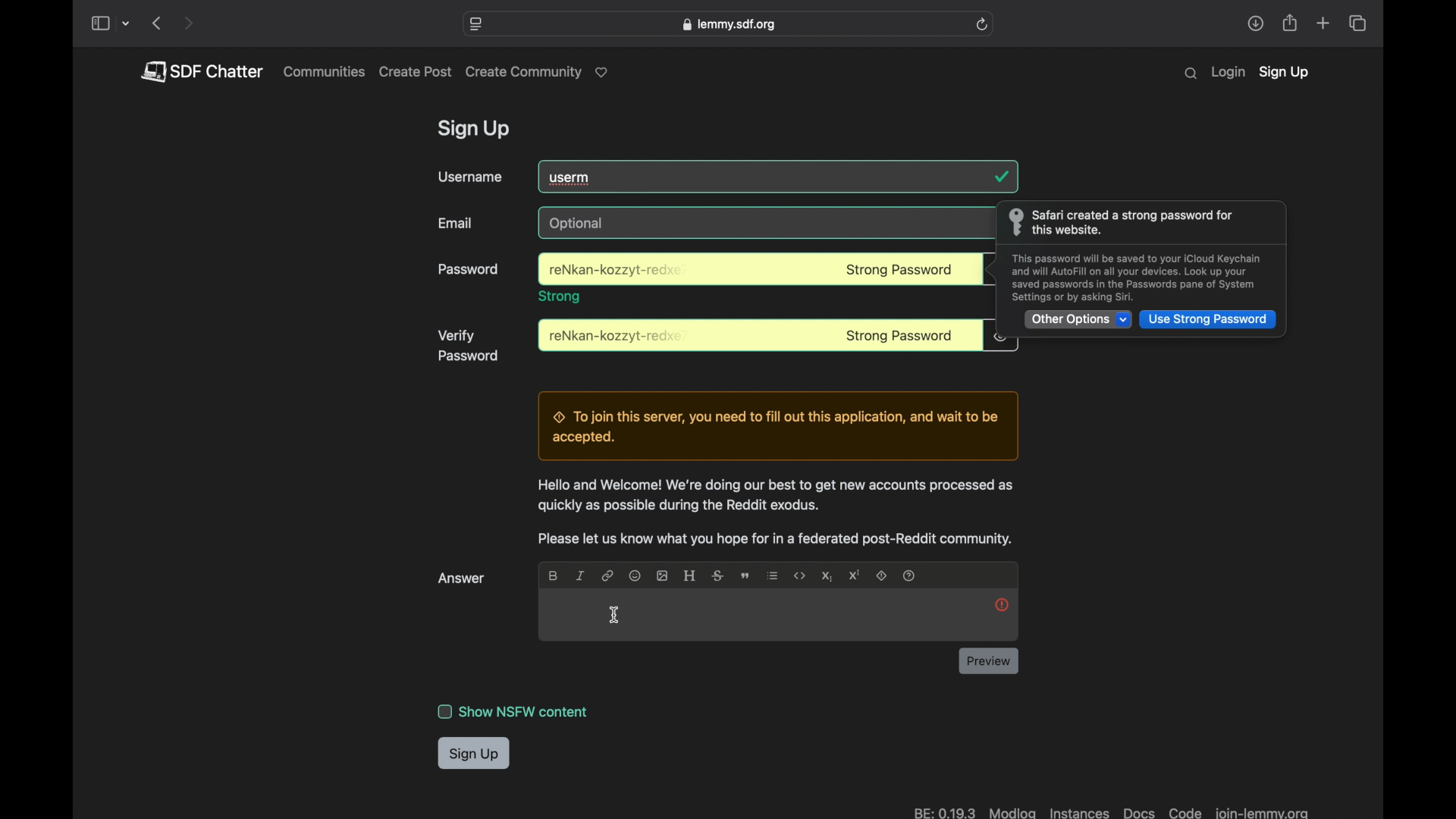 The height and width of the screenshot is (819, 1456). I want to click on emoji, so click(634, 575).